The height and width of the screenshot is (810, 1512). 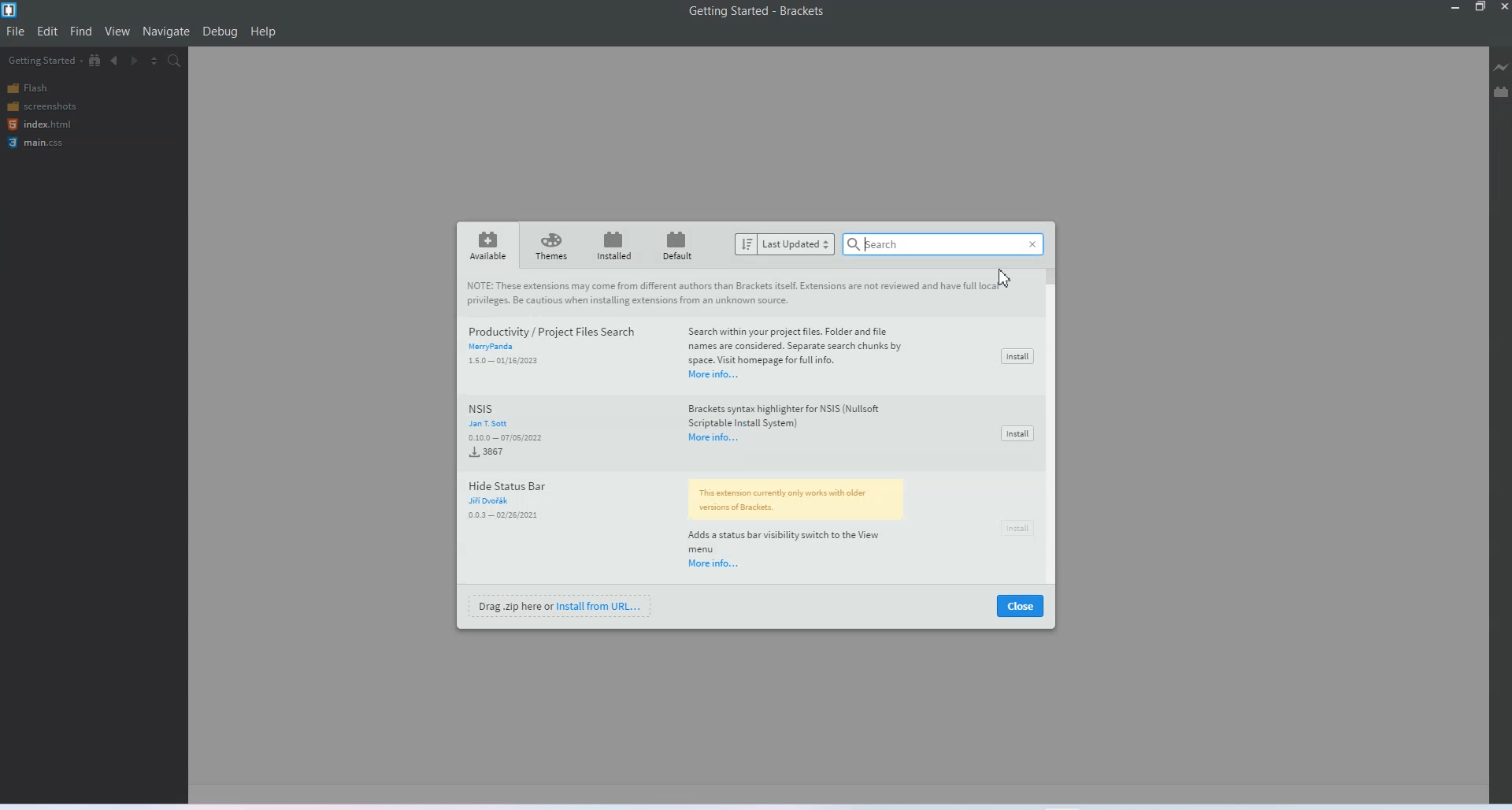 I want to click on Show in the file tree, so click(x=96, y=60).